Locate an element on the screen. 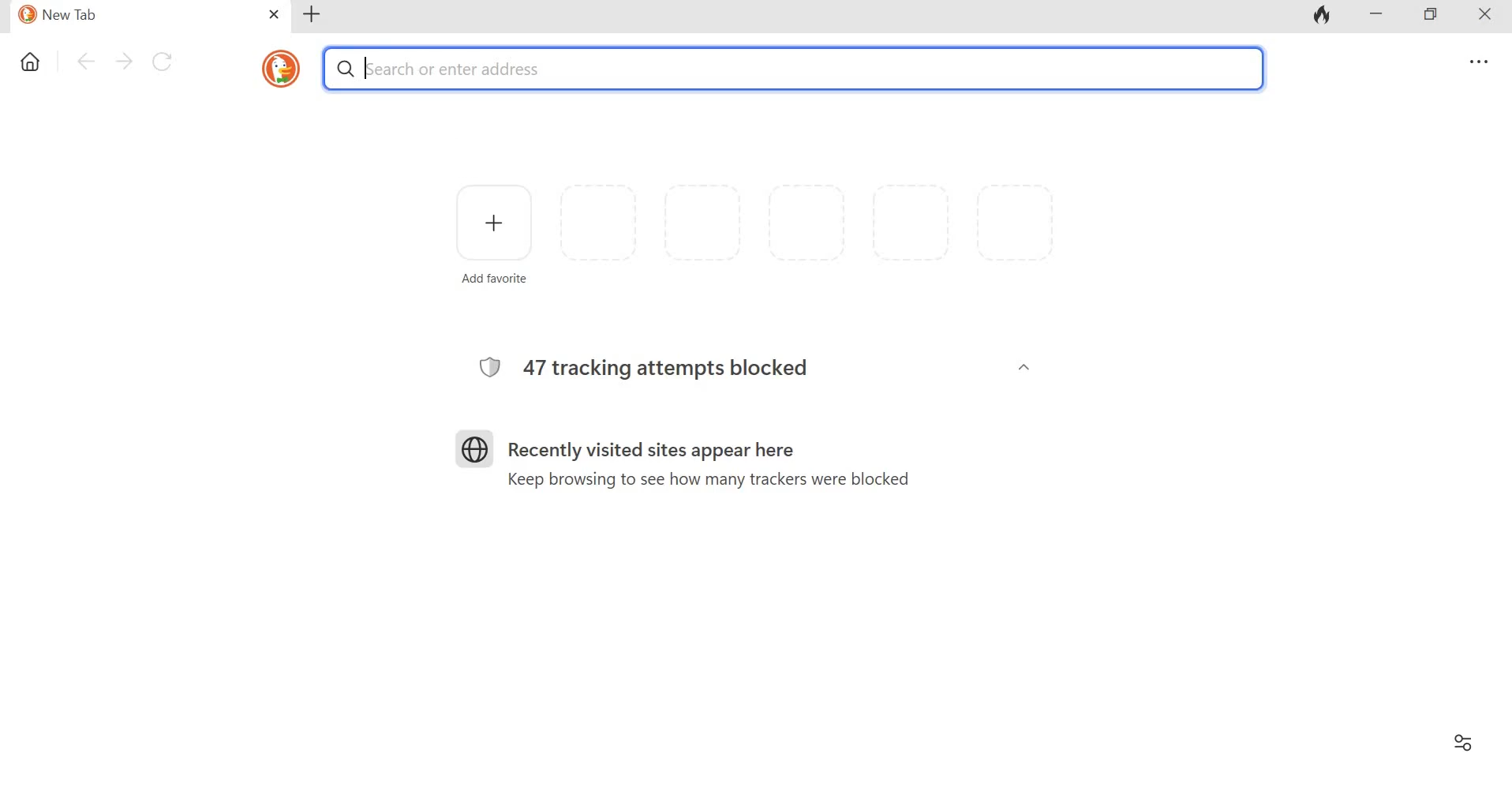 The height and width of the screenshot is (791, 1512). Logo for browser protection is located at coordinates (489, 367).